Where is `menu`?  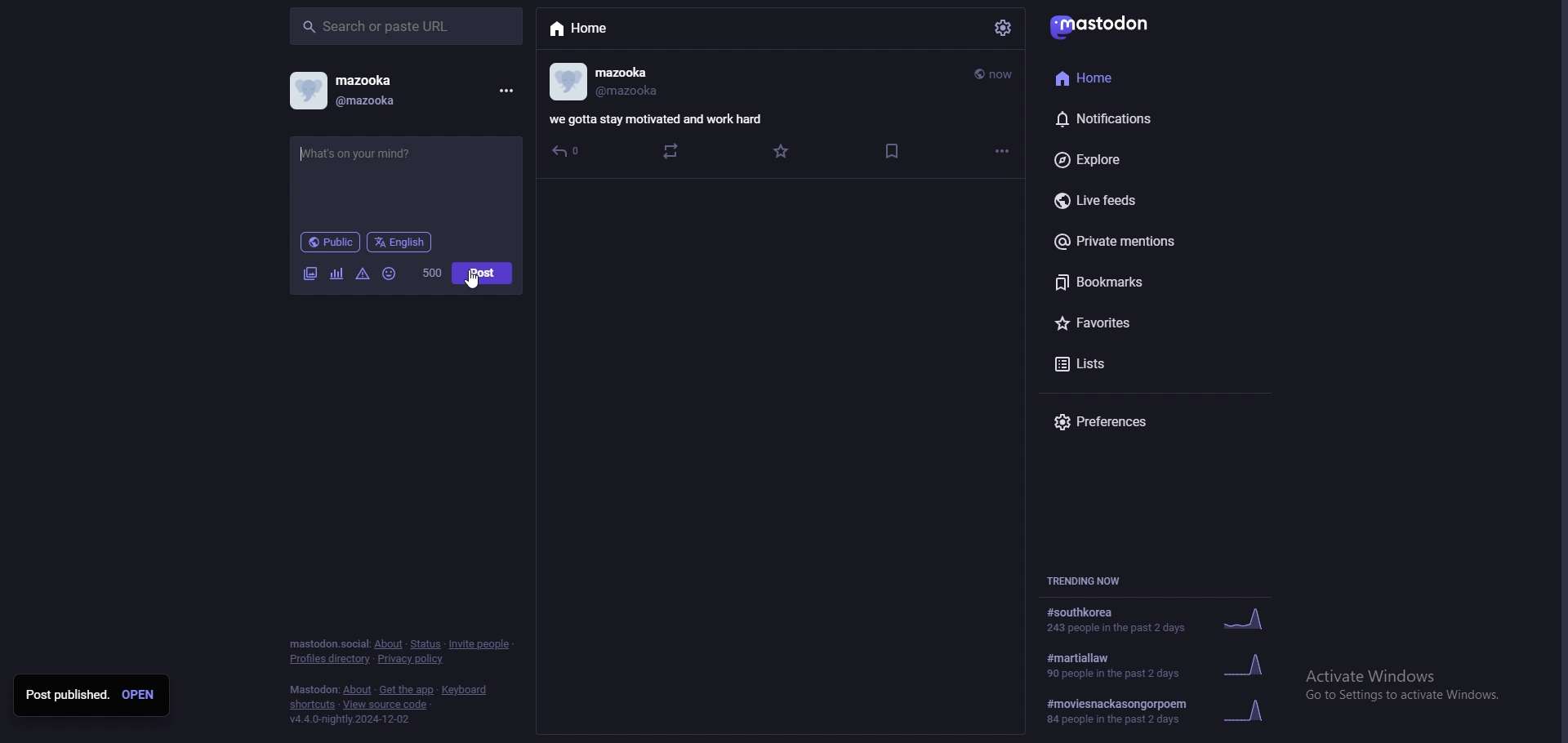
menu is located at coordinates (506, 91).